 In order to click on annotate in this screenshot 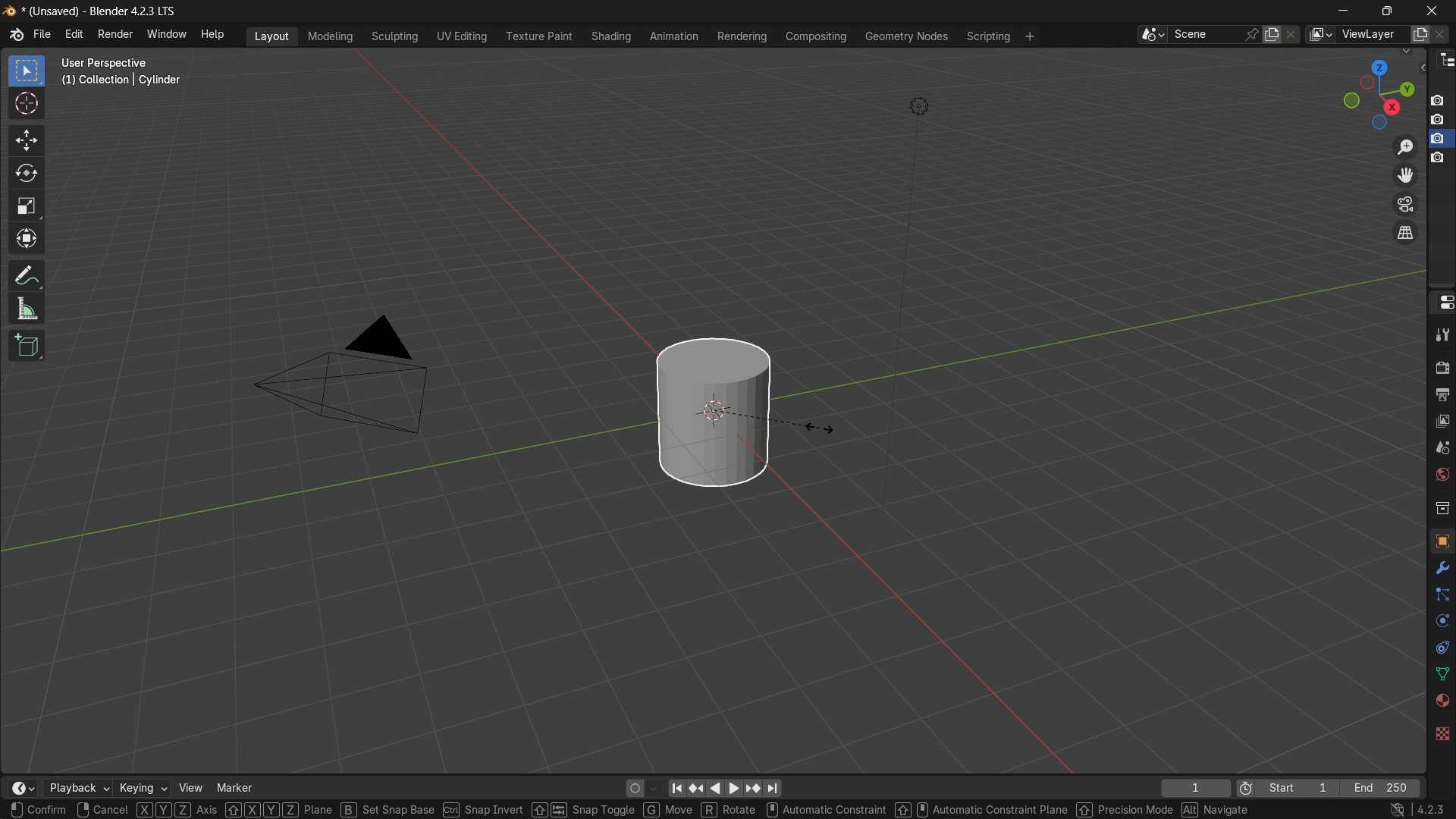, I will do `click(26, 277)`.